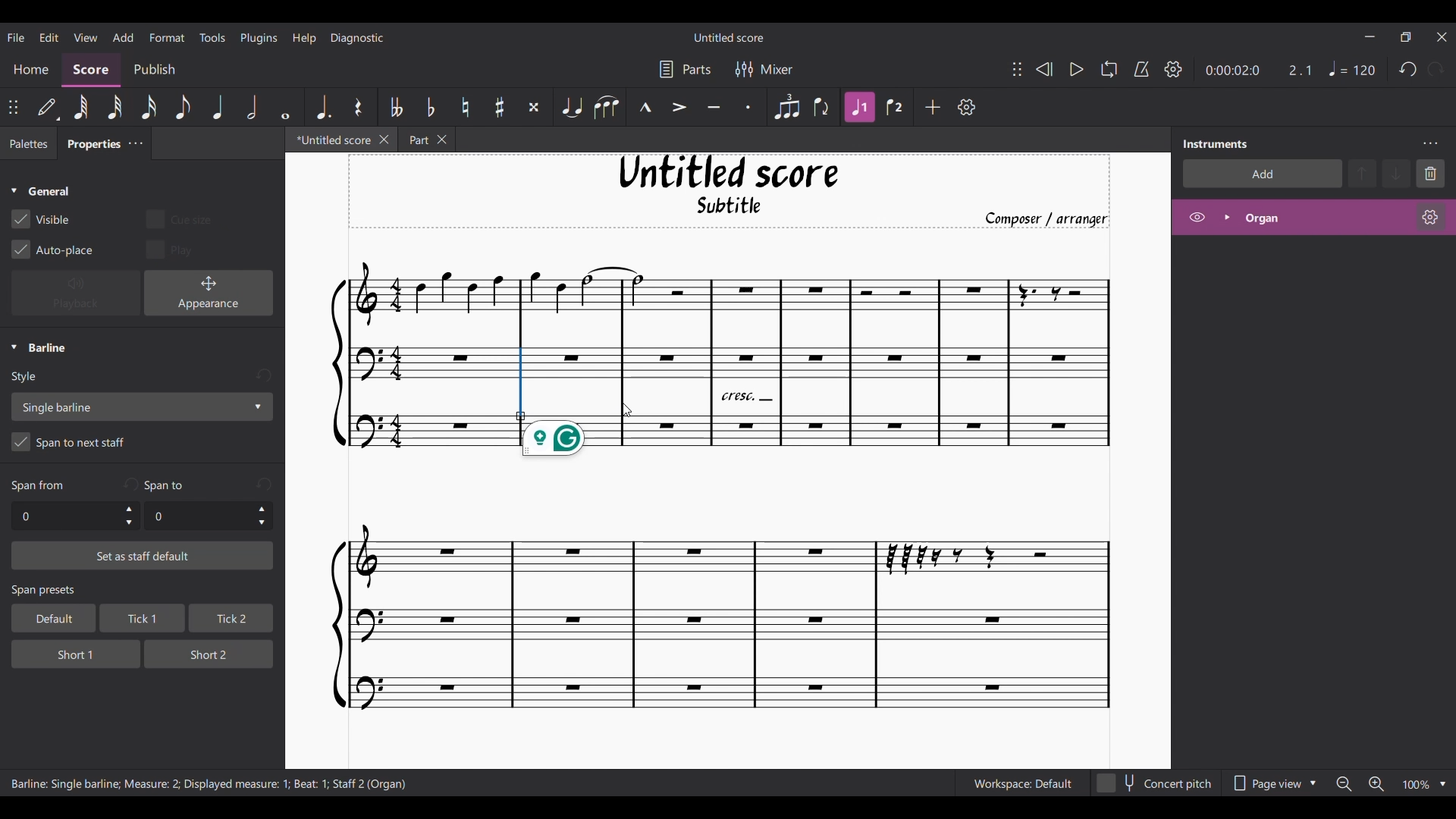 Image resolution: width=1456 pixels, height=819 pixels. What do you see at coordinates (465, 107) in the screenshot?
I see `Toggle natural` at bounding box center [465, 107].